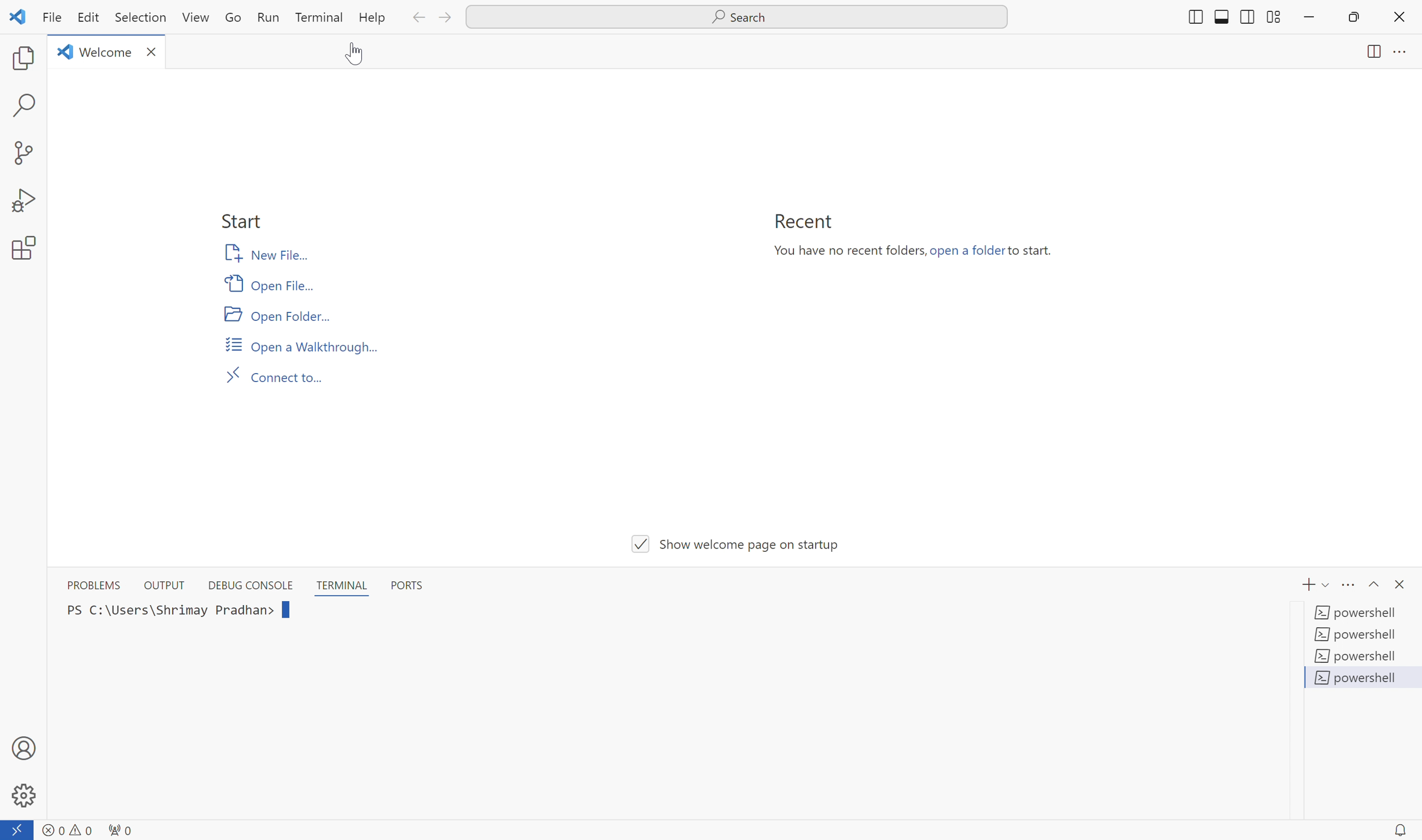 The width and height of the screenshot is (1422, 840). Describe the element at coordinates (22, 249) in the screenshot. I see `extensions` at that location.